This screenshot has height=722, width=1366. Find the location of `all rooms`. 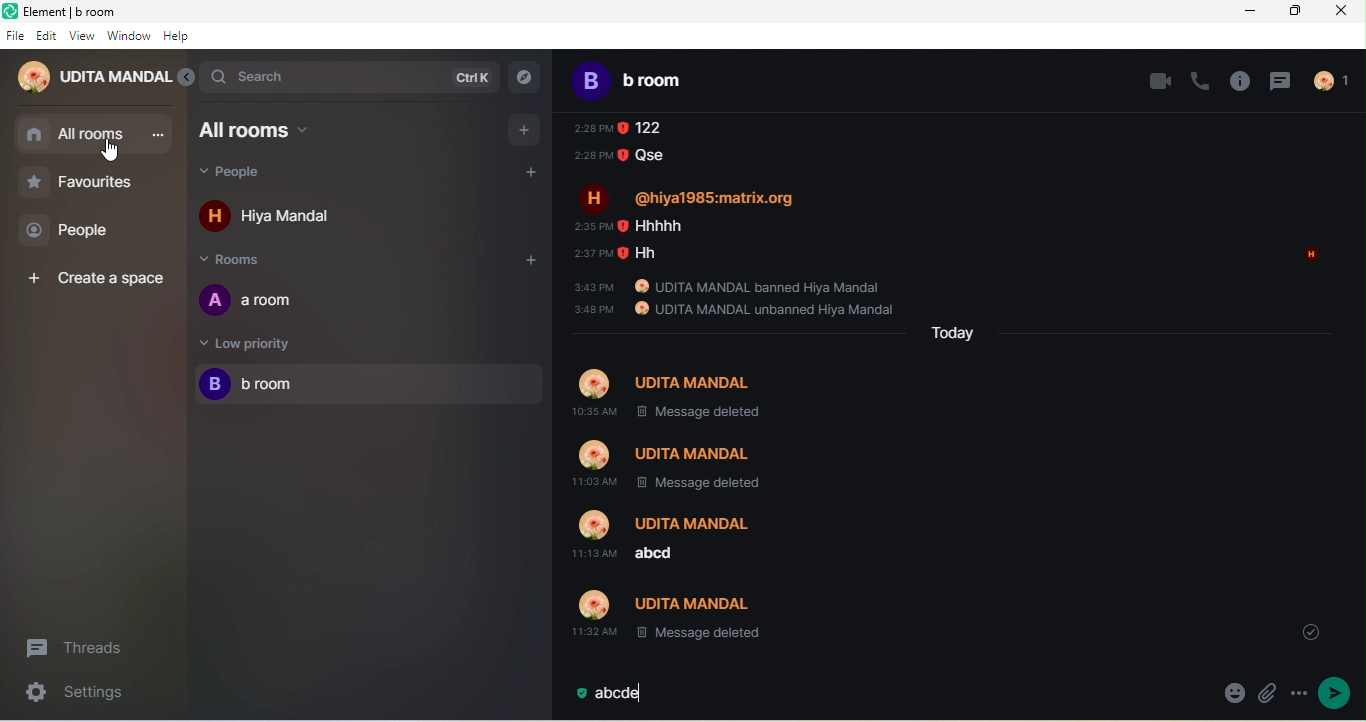

all rooms is located at coordinates (286, 129).